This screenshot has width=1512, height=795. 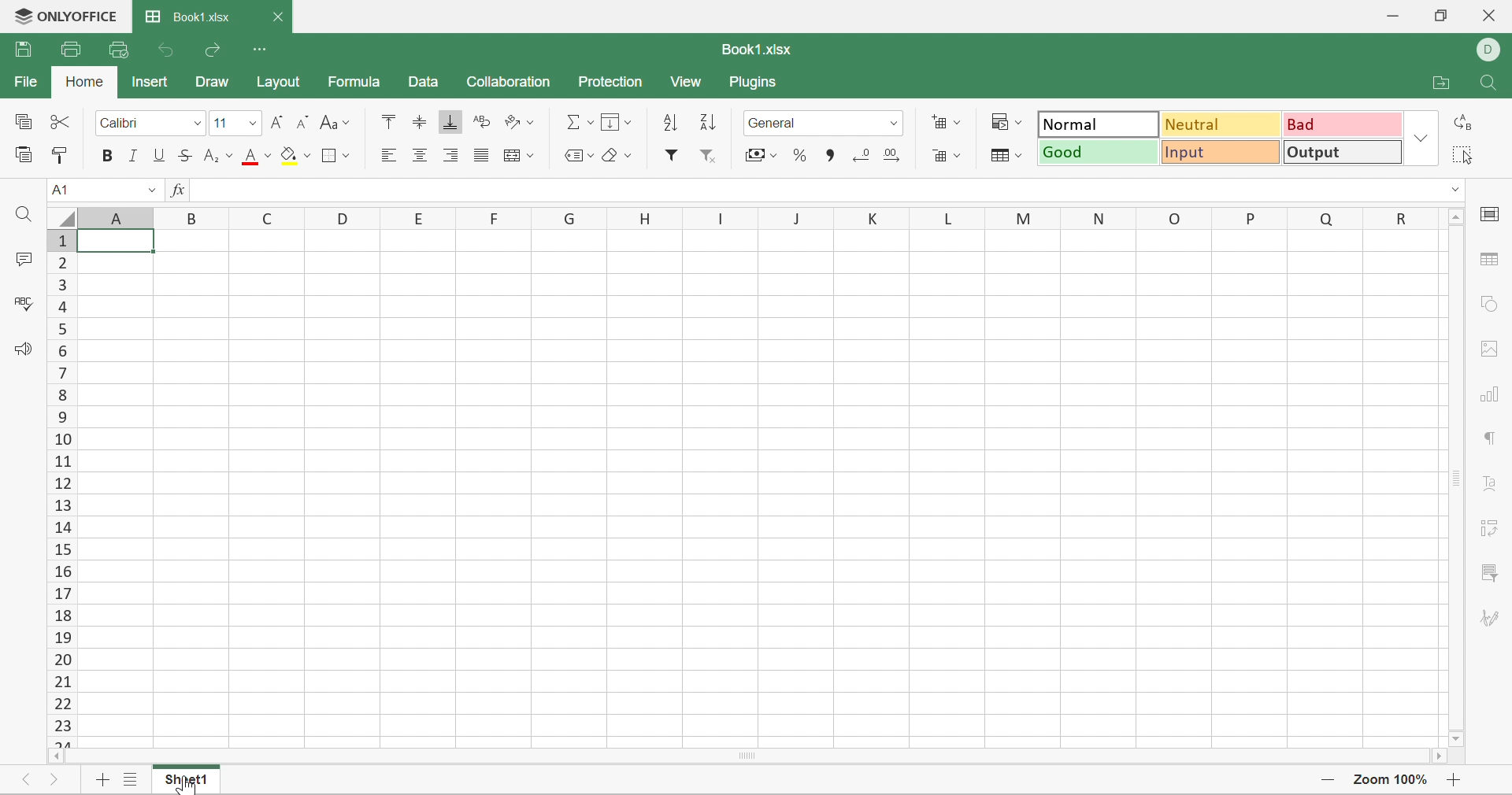 What do you see at coordinates (187, 17) in the screenshot?
I see `Book1.xlsx` at bounding box center [187, 17].